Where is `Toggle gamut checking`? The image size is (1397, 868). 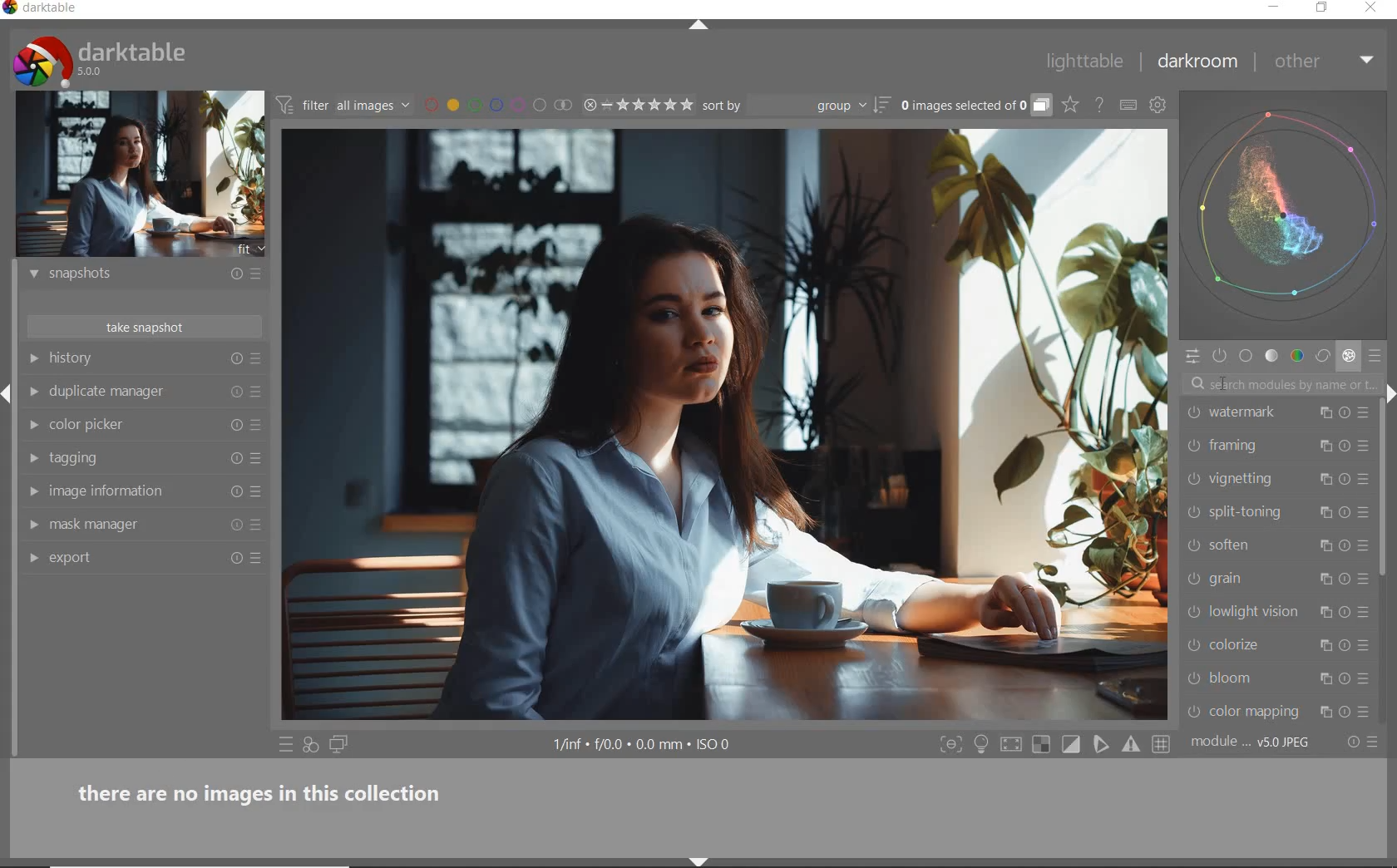
Toggle gamut checking is located at coordinates (1130, 745).